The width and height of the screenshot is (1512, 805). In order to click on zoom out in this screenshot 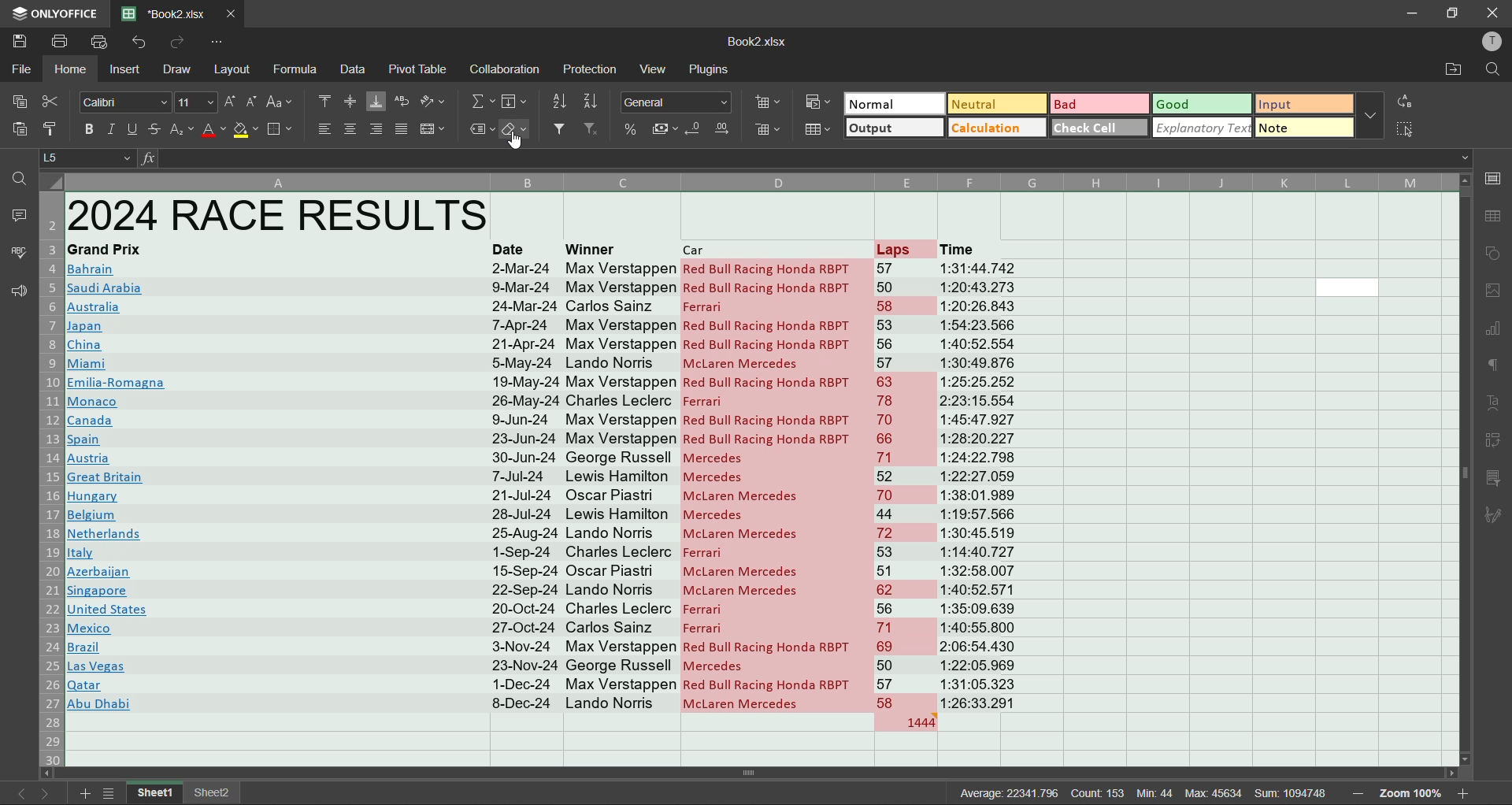, I will do `click(1355, 793)`.